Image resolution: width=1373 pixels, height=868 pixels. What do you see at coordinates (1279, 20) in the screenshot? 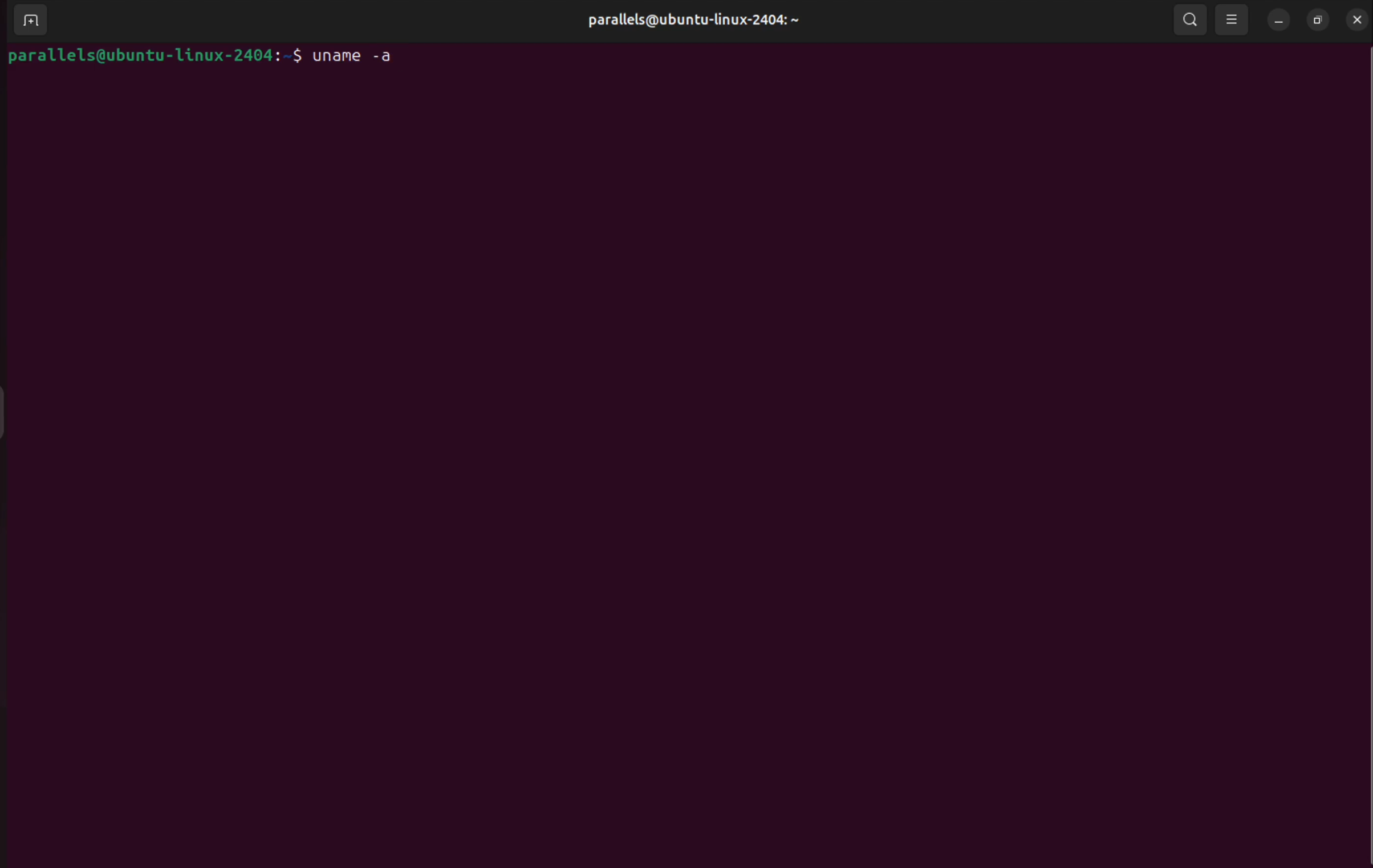
I see `minimize` at bounding box center [1279, 20].